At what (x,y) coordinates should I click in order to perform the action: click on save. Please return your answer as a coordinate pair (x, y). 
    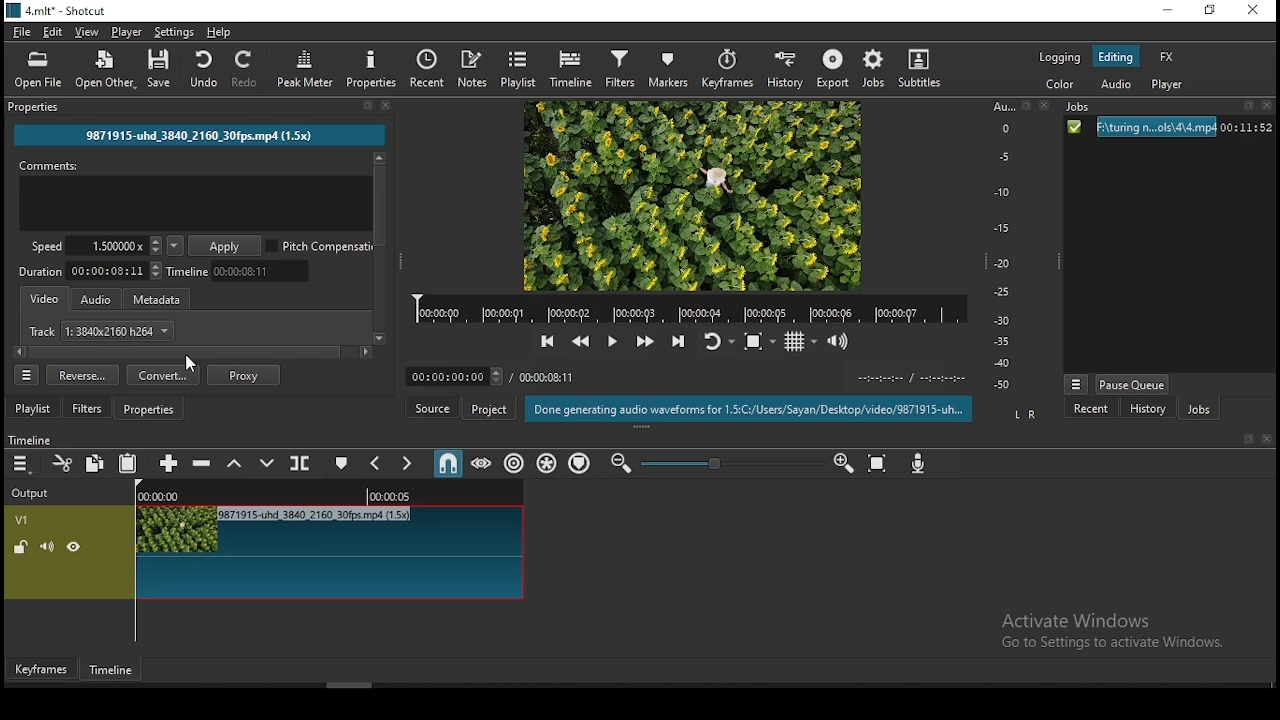
    Looking at the image, I should click on (161, 70).